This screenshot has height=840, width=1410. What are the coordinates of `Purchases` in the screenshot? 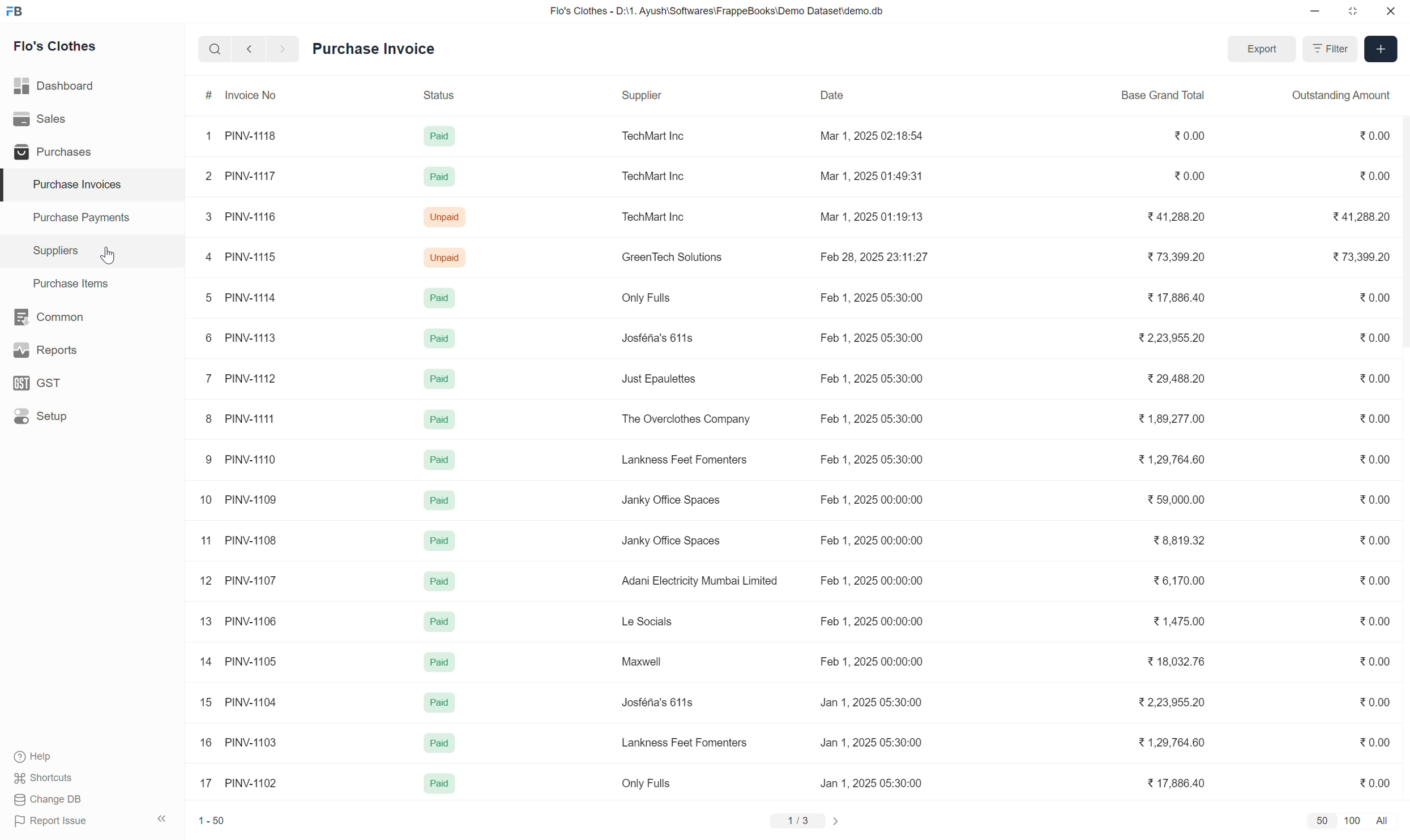 It's located at (57, 148).